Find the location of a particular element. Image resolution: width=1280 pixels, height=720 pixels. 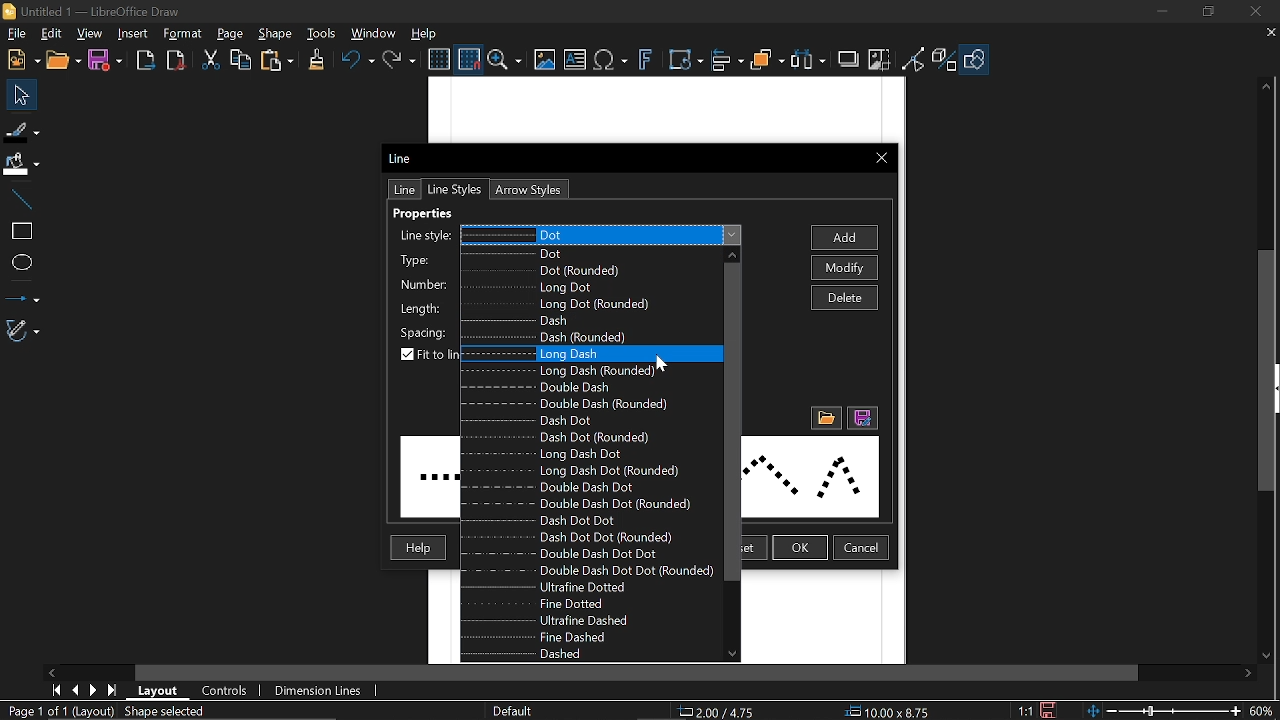

Edit is located at coordinates (53, 34).